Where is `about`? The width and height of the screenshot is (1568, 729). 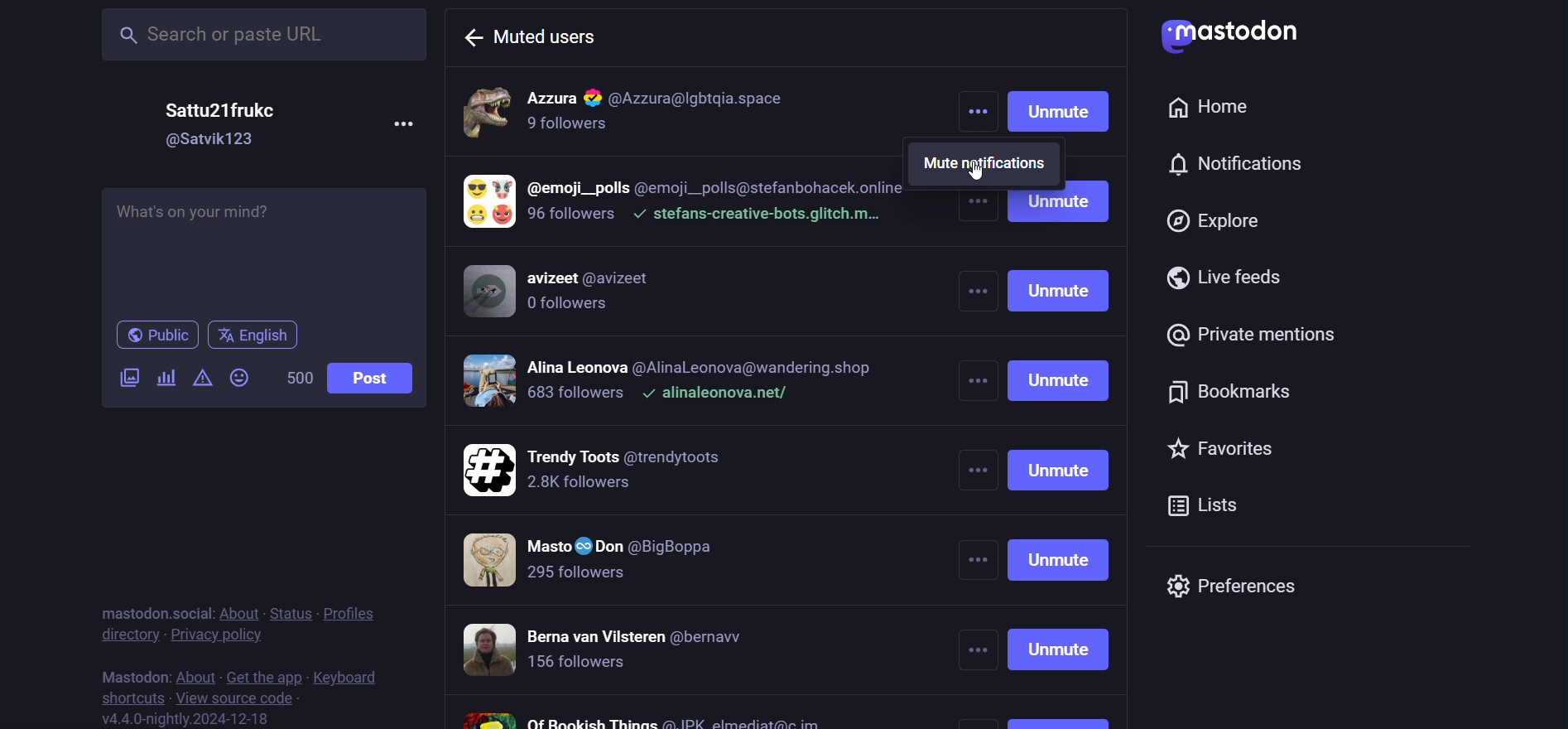
about is located at coordinates (240, 612).